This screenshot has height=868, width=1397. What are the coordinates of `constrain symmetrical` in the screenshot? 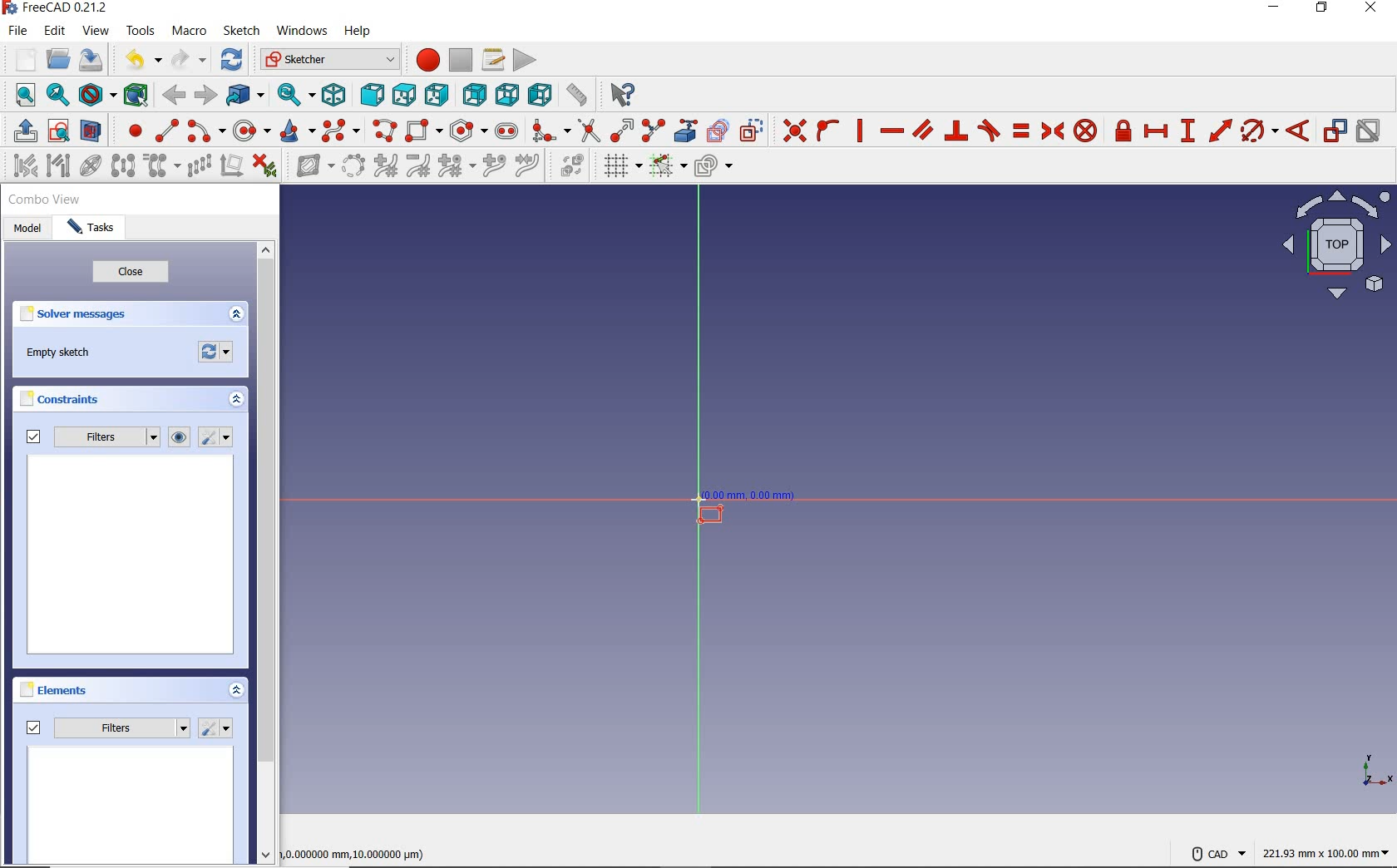 It's located at (1052, 131).